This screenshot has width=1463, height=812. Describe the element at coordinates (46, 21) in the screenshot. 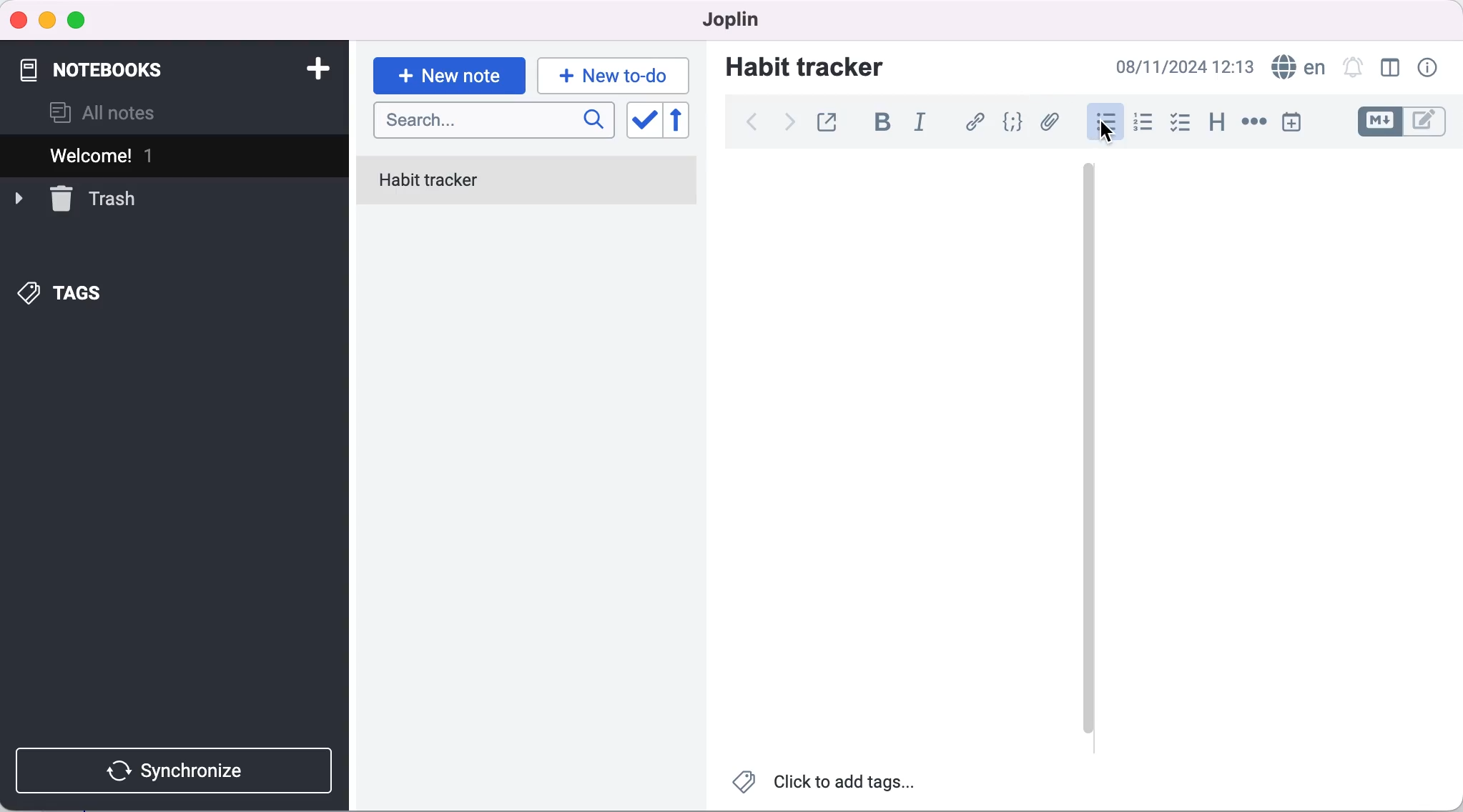

I see `minimize` at that location.